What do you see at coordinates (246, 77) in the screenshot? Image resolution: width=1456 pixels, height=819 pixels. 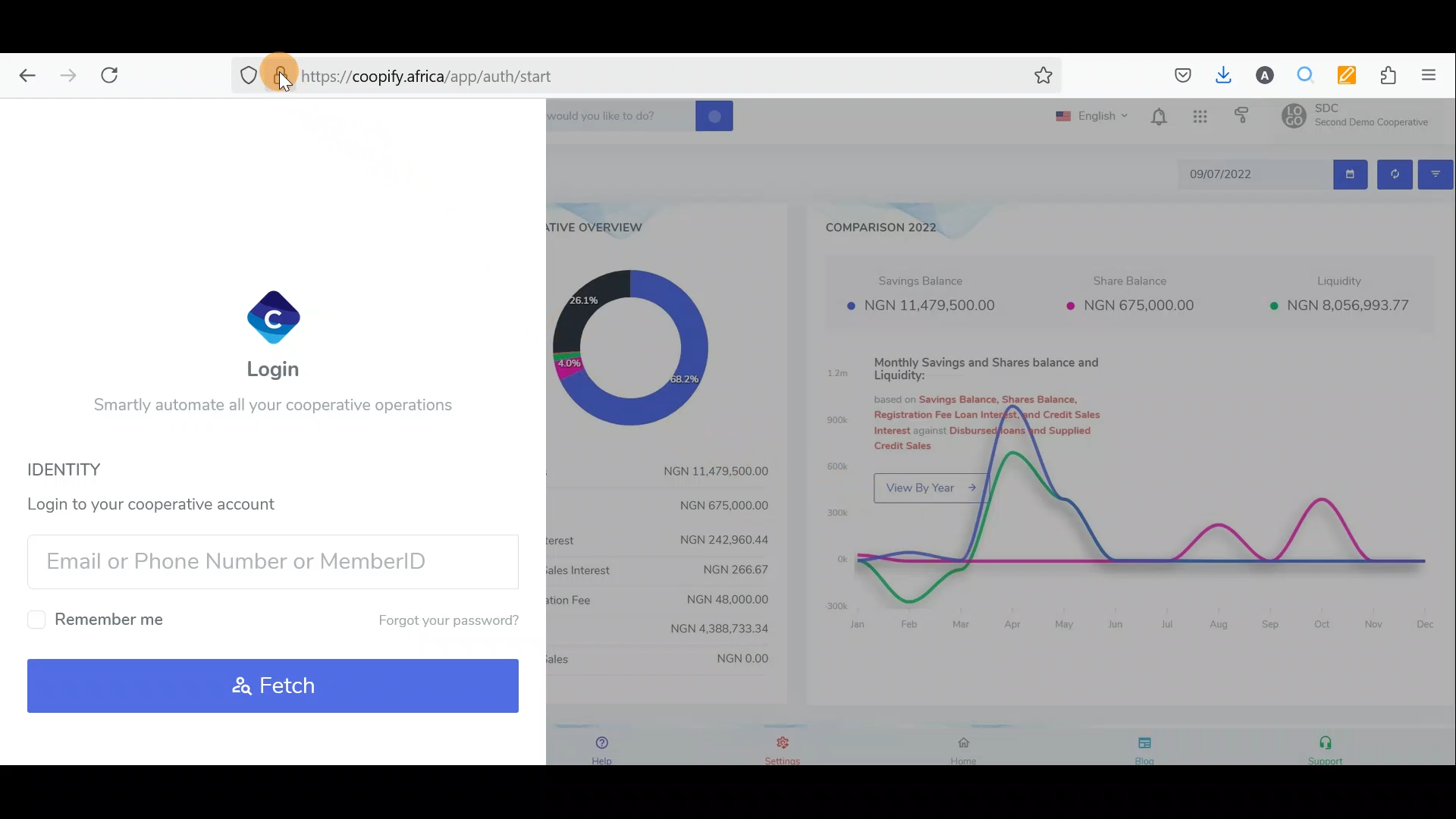 I see `No trackers detected` at bounding box center [246, 77].